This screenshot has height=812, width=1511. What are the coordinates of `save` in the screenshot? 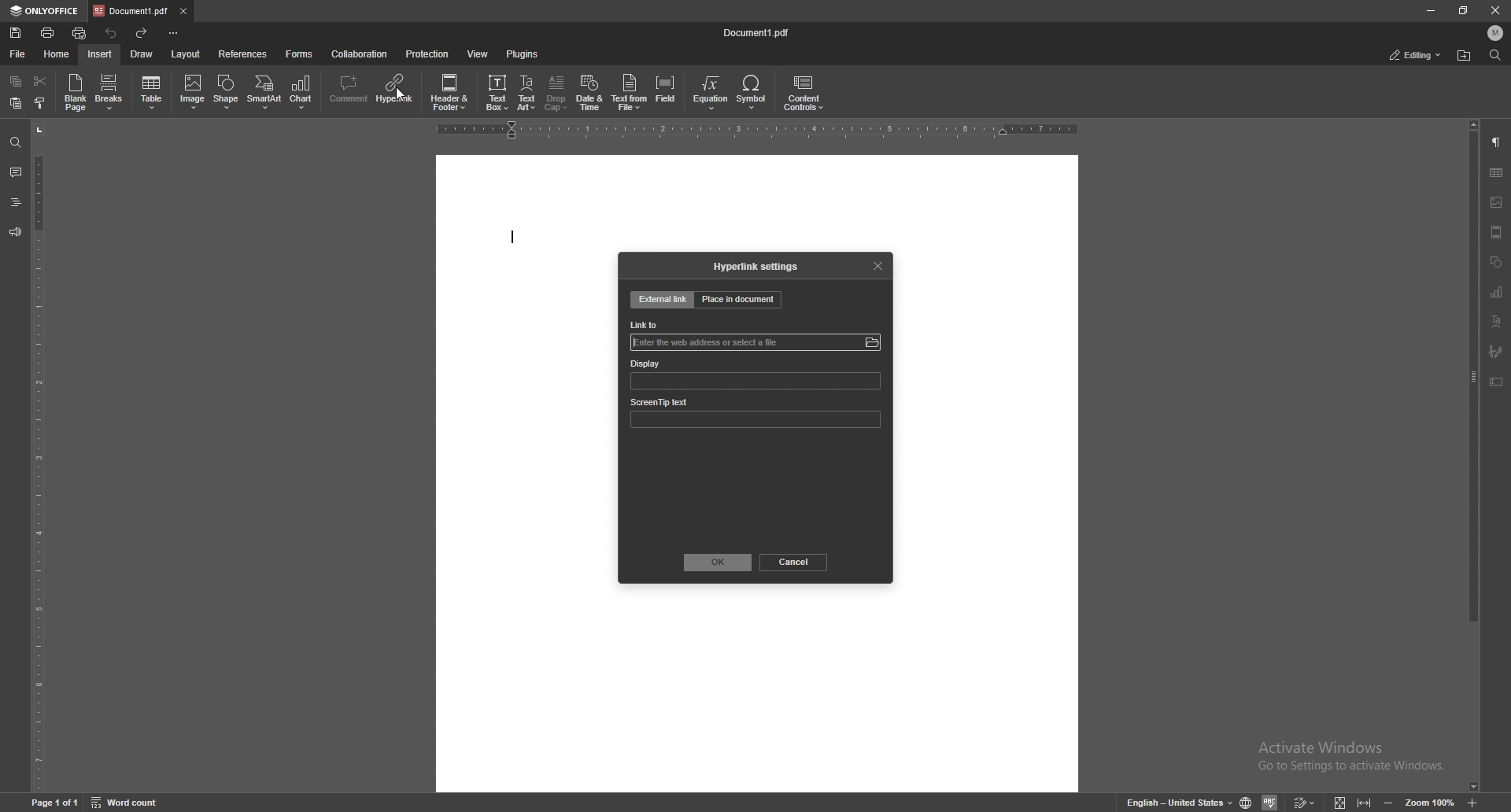 It's located at (17, 32).